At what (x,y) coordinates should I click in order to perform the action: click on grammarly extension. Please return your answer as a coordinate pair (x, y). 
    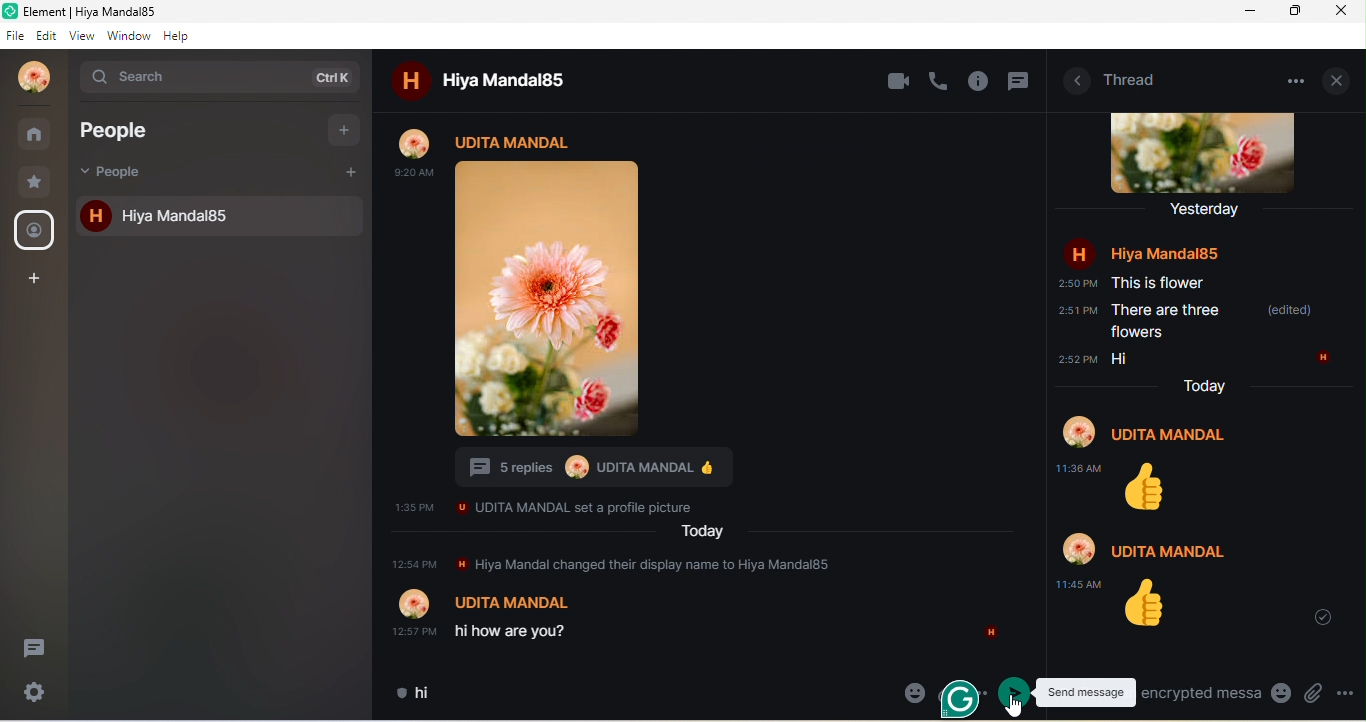
    Looking at the image, I should click on (960, 701).